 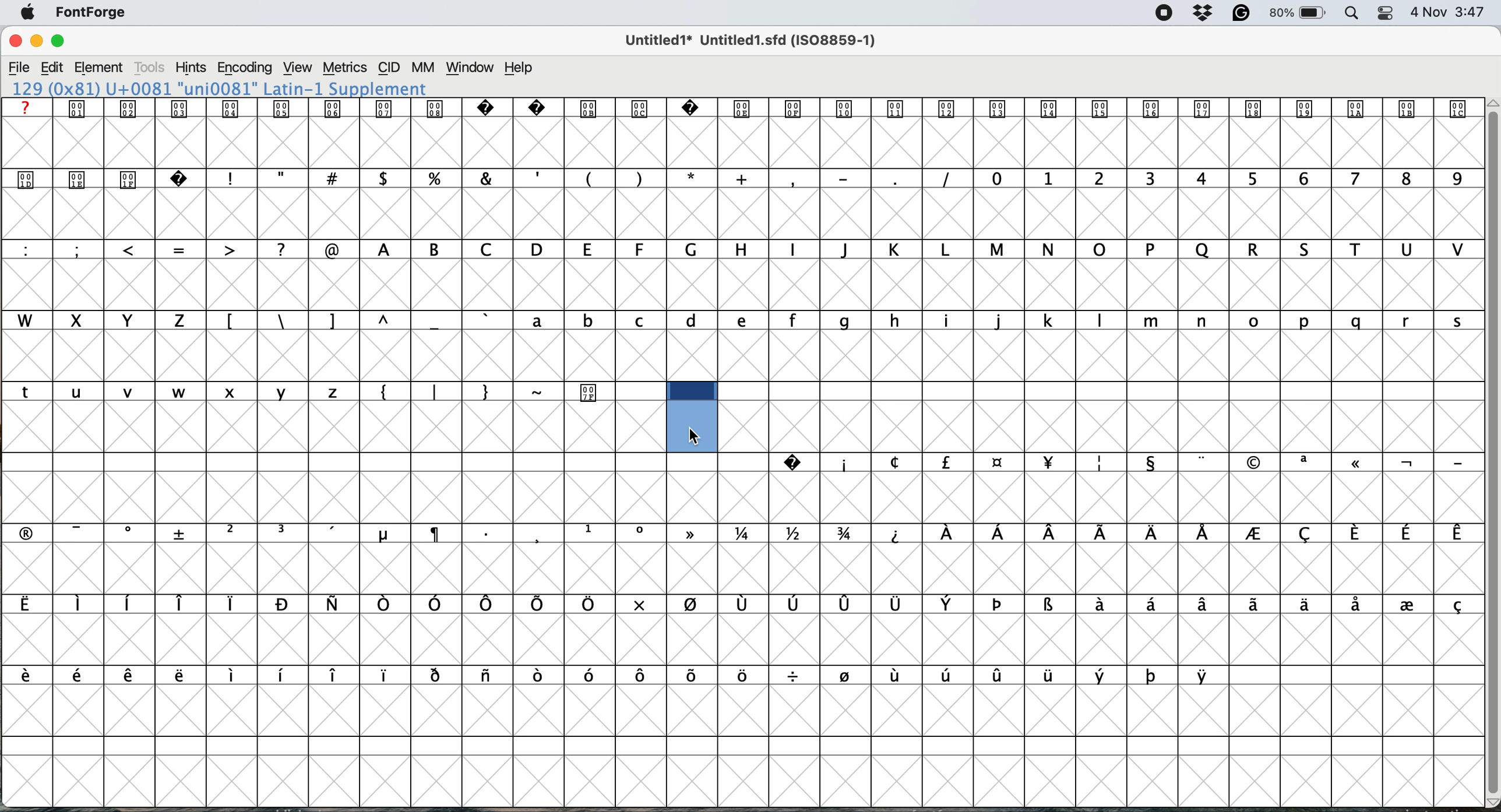 What do you see at coordinates (240, 89) in the screenshot?
I see `129 (0x81) U+0081 "uni0081" Latin-1 Supplement` at bounding box center [240, 89].